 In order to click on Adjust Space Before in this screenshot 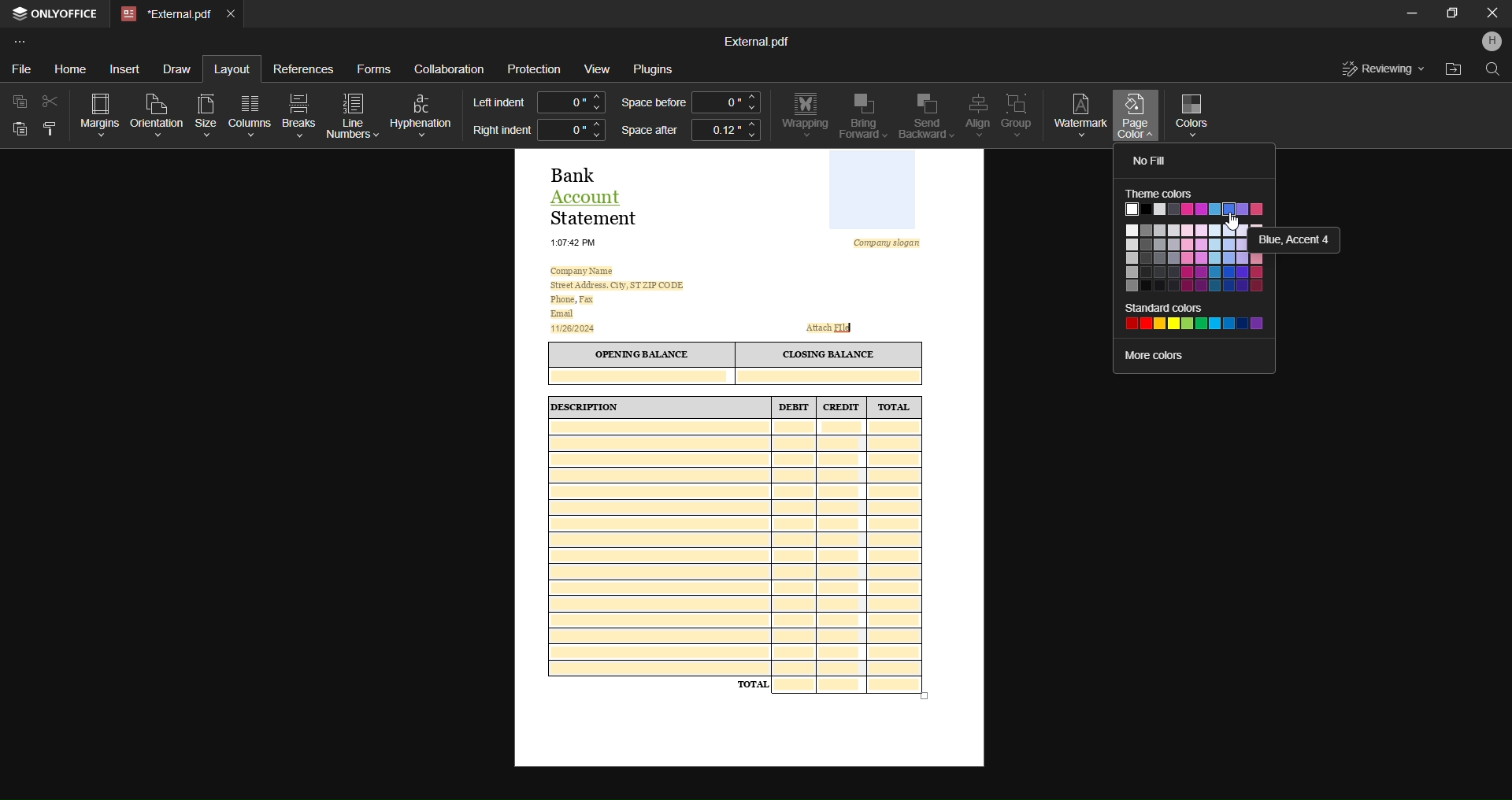, I will do `click(724, 102)`.